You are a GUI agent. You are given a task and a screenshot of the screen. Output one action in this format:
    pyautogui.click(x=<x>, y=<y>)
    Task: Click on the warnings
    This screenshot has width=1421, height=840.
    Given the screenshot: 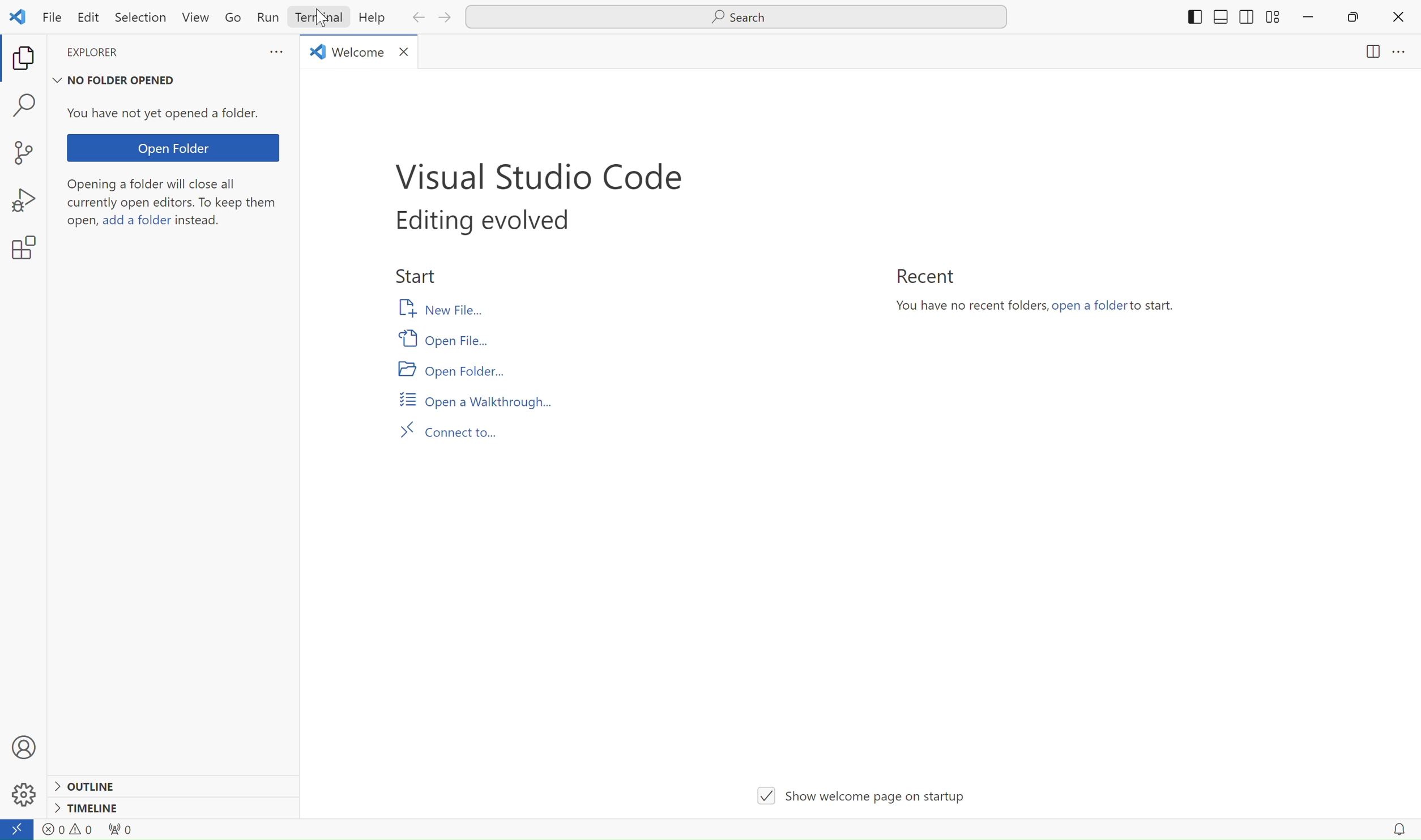 What is the action you would take?
    pyautogui.click(x=92, y=830)
    